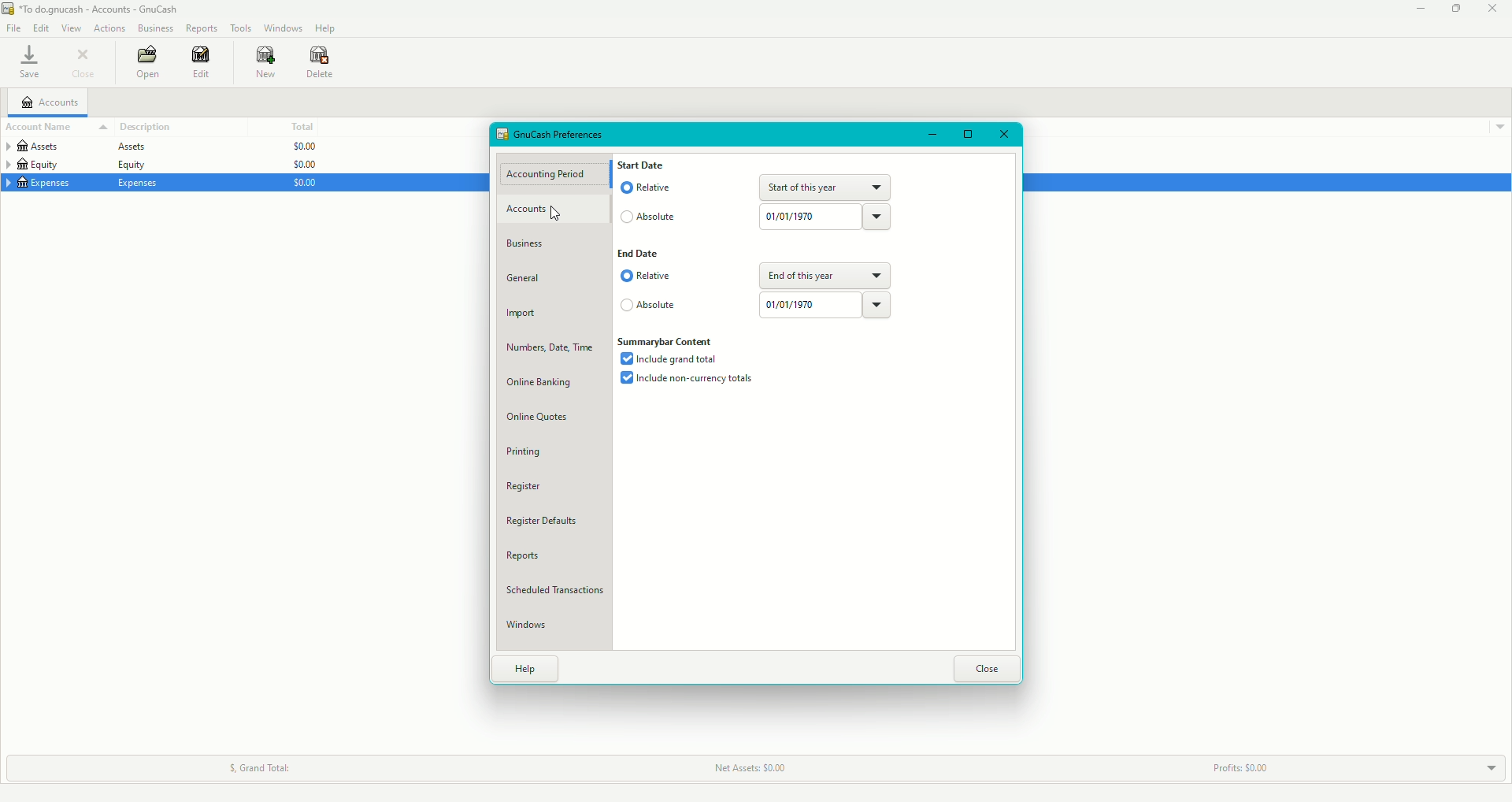 This screenshot has width=1512, height=802. What do you see at coordinates (531, 626) in the screenshot?
I see `Windows` at bounding box center [531, 626].